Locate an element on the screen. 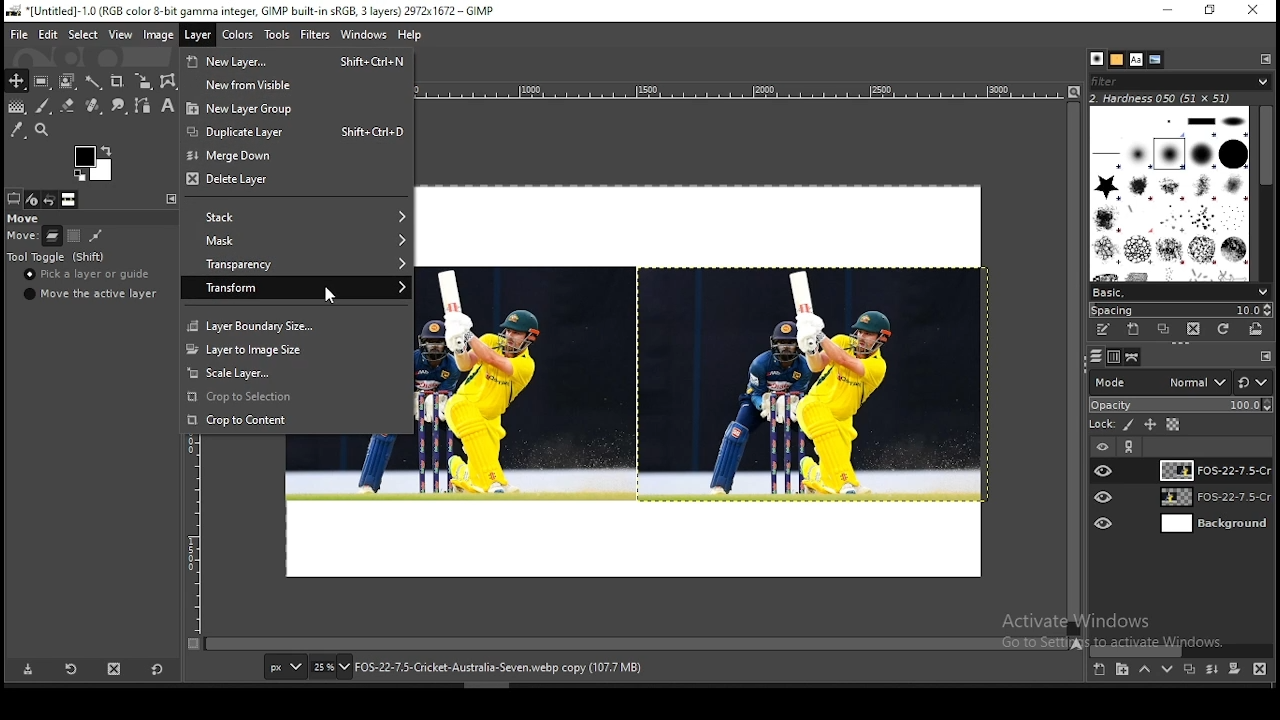 This screenshot has height=720, width=1280. tools is located at coordinates (280, 35).